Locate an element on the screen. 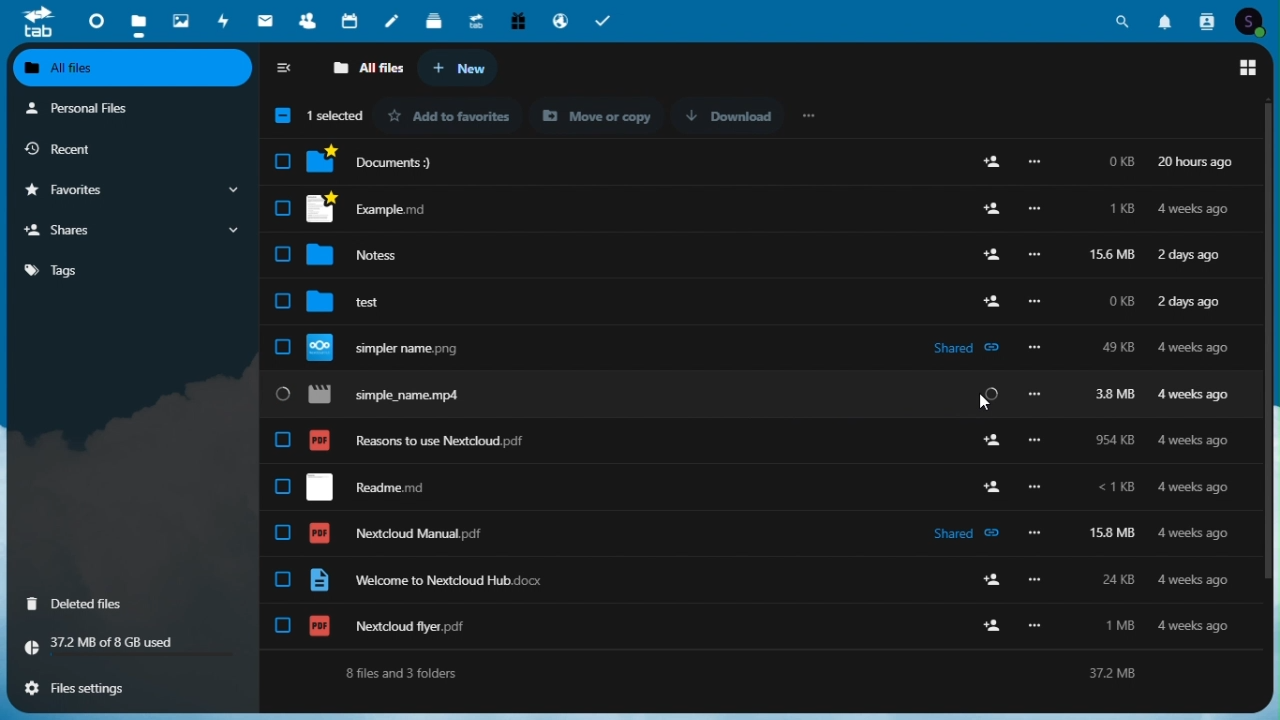 Image resolution: width=1280 pixels, height=720 pixels. Readme.md is located at coordinates (738, 485).